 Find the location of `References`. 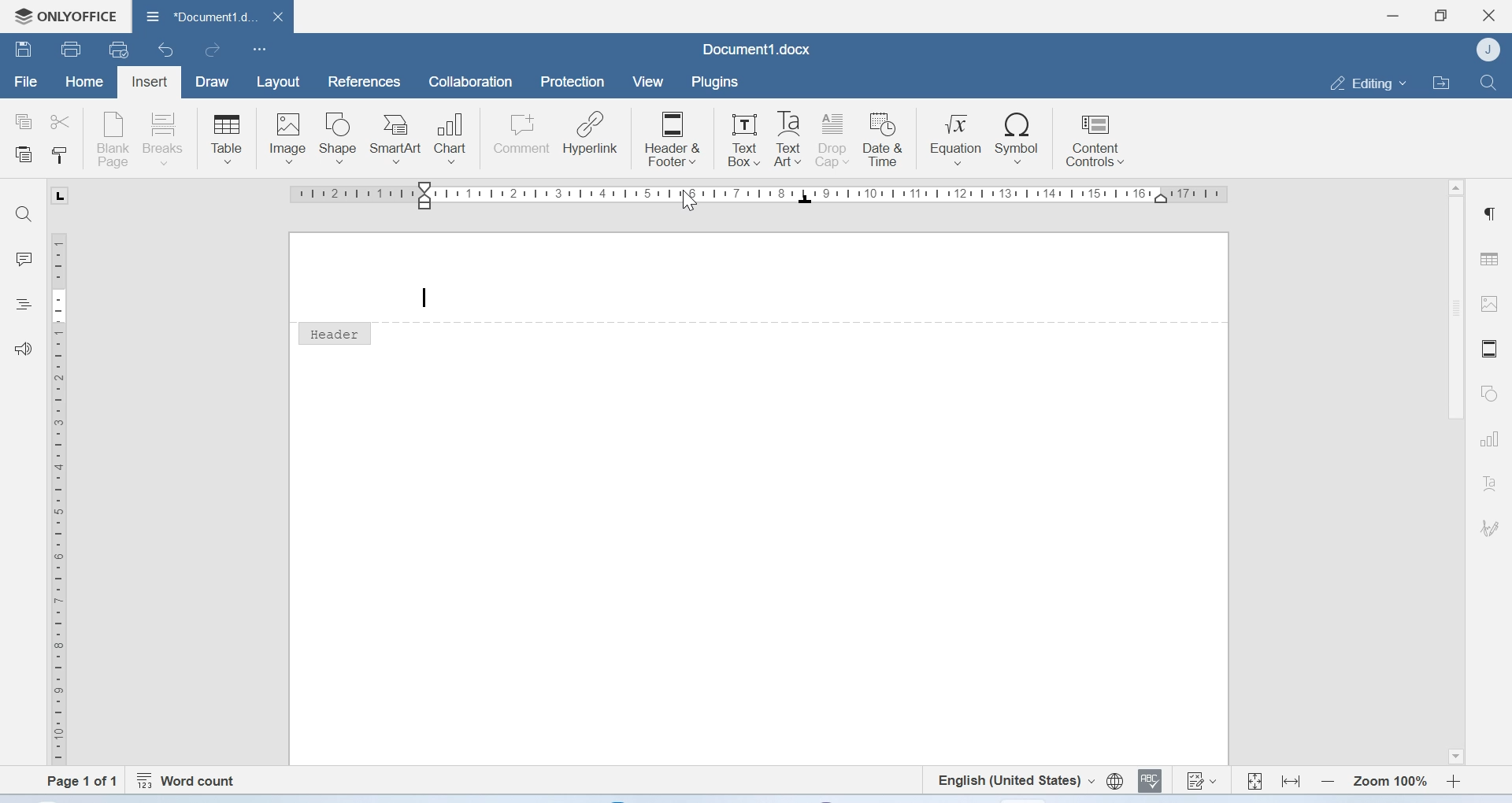

References is located at coordinates (361, 81).